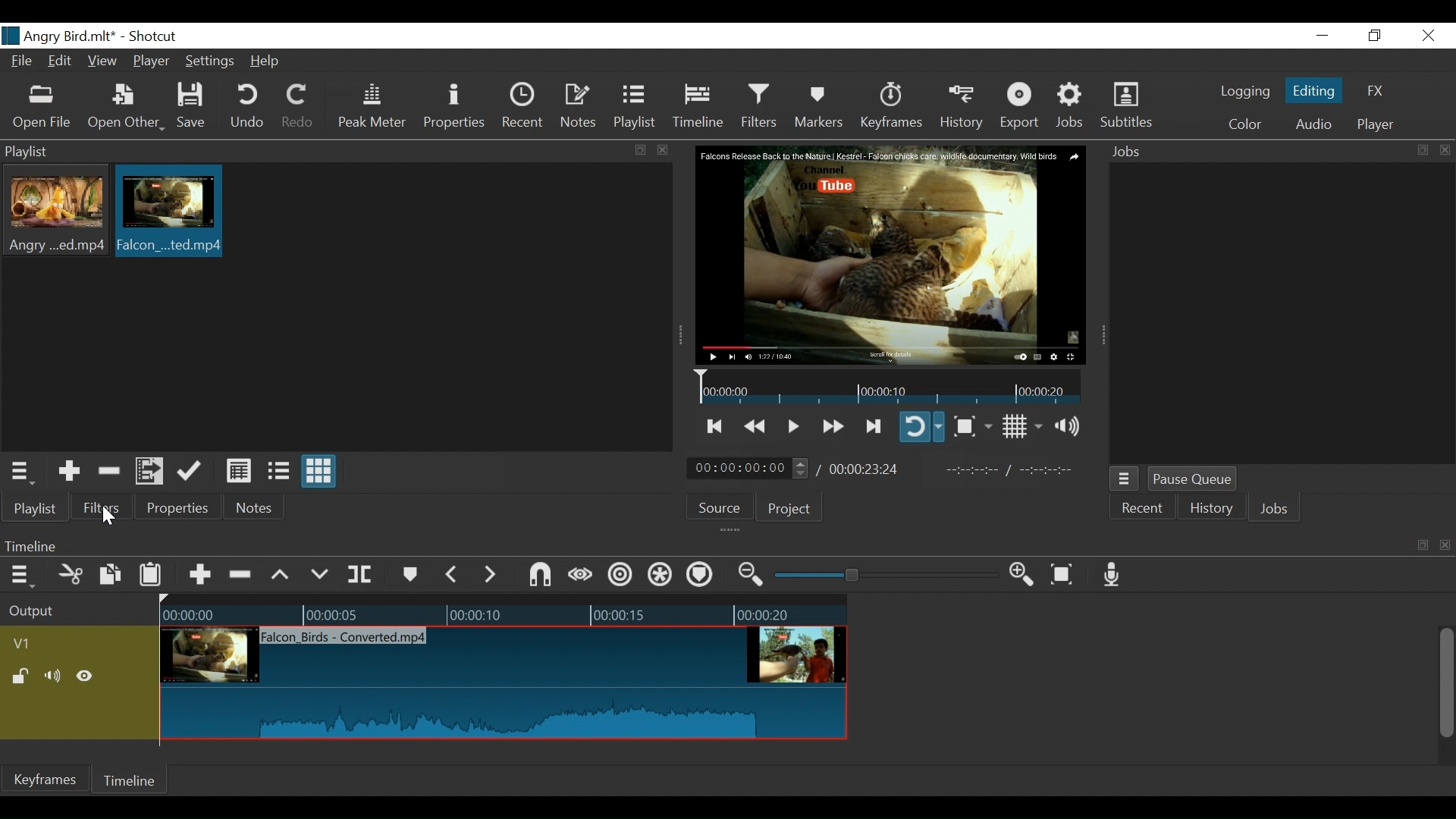  I want to click on Close, so click(1426, 36).